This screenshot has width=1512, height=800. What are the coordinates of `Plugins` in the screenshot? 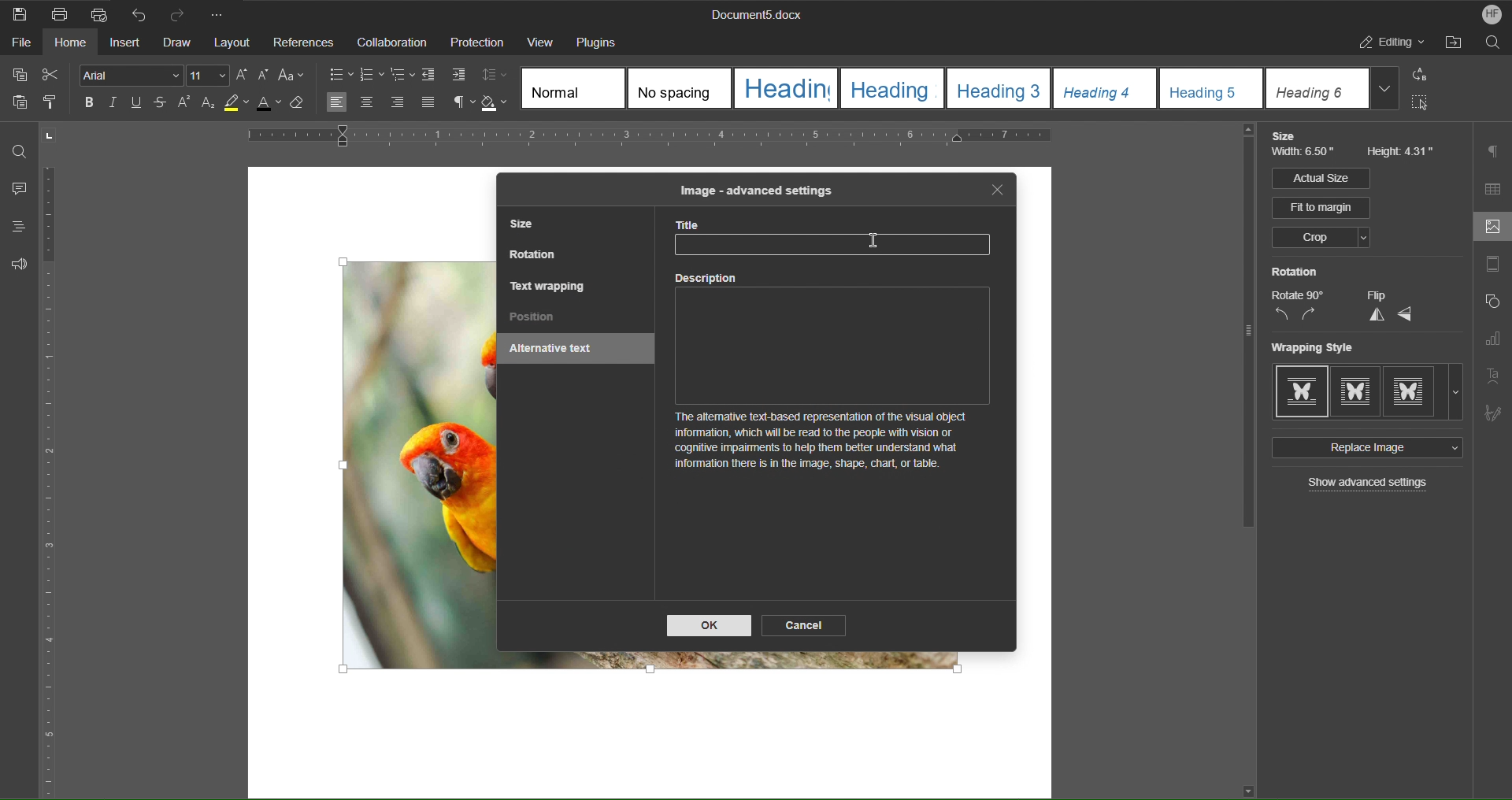 It's located at (602, 41).